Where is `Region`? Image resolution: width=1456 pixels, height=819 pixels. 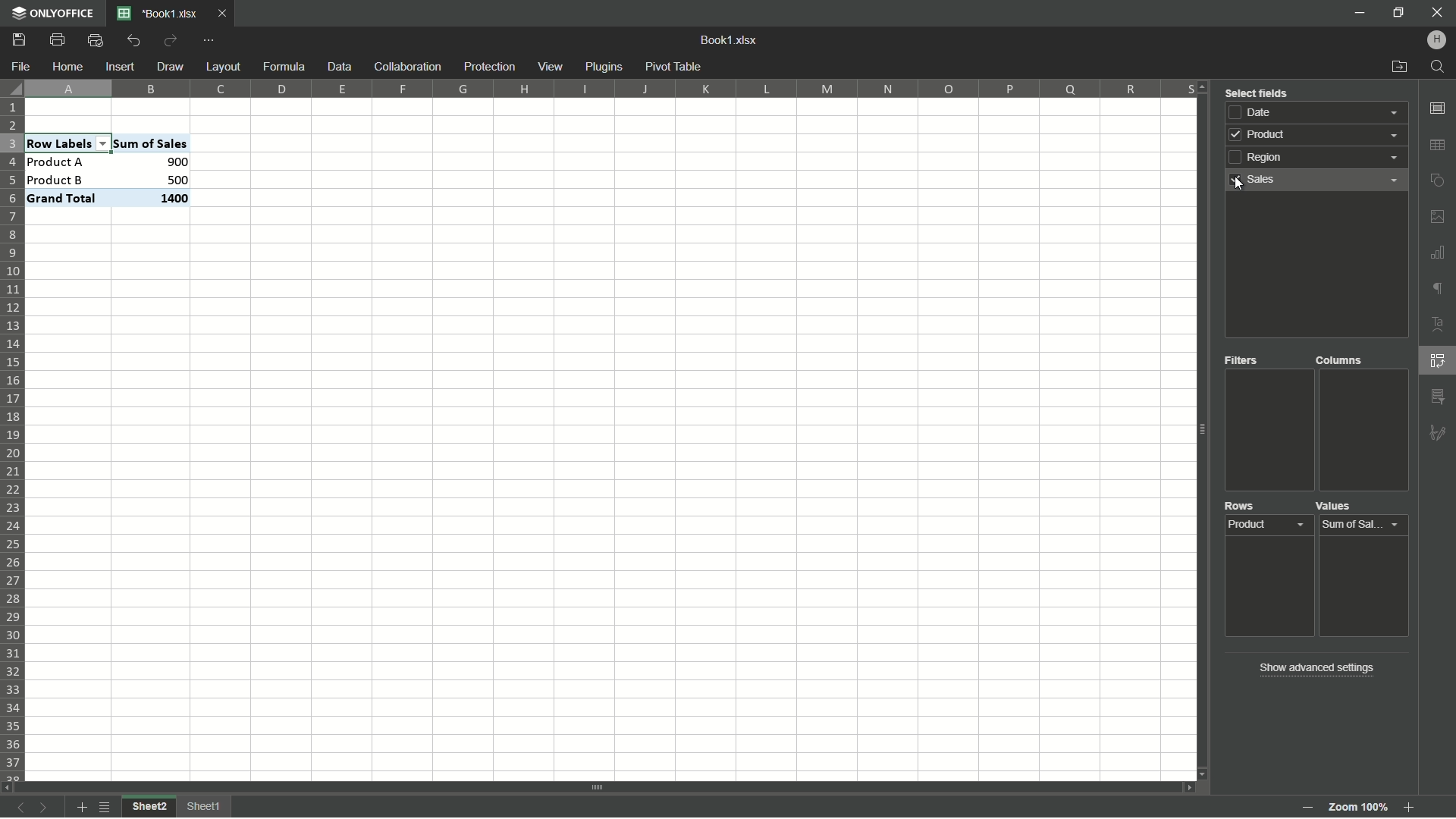
Region is located at coordinates (1322, 159).